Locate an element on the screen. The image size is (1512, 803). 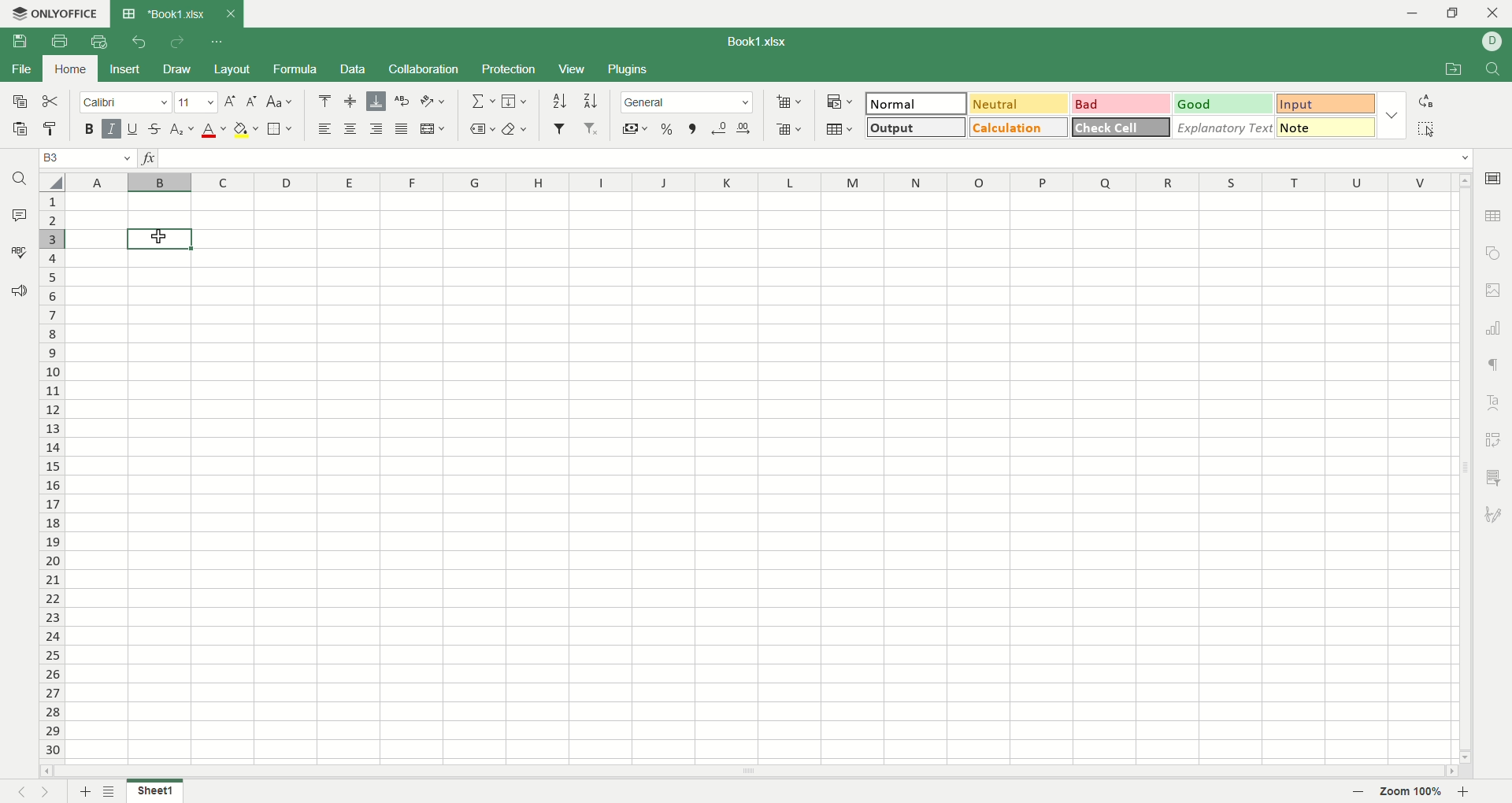
currency style is located at coordinates (636, 130).